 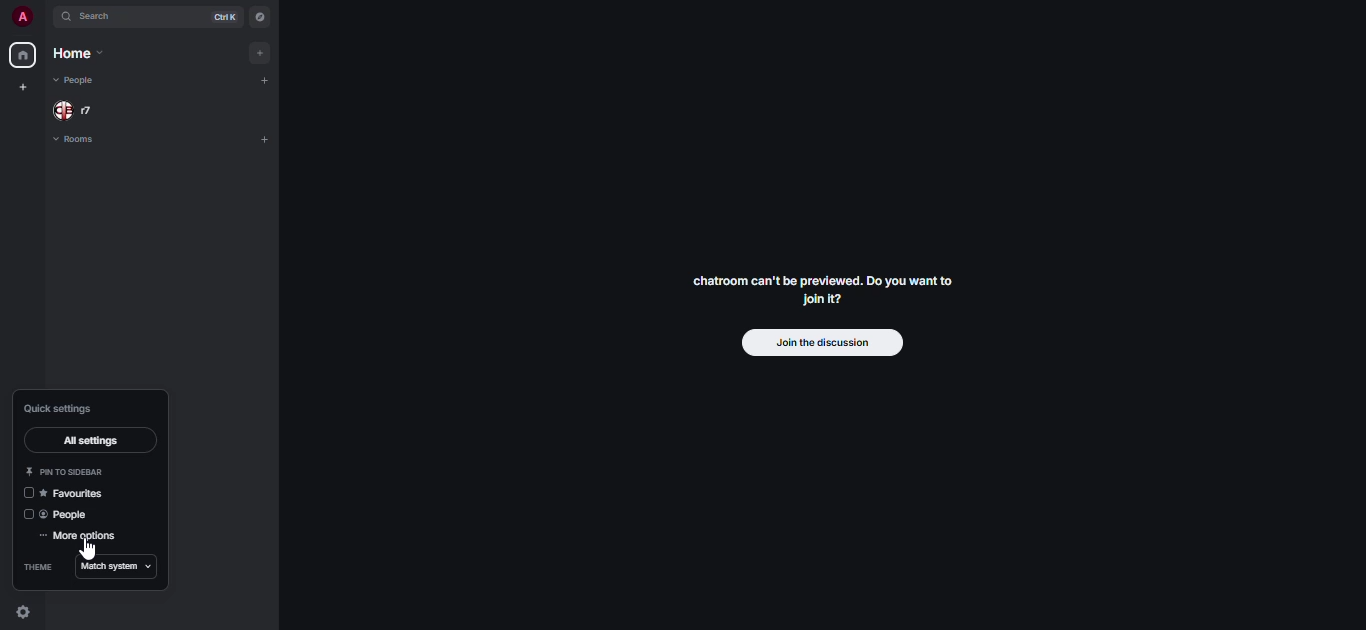 What do you see at coordinates (262, 139) in the screenshot?
I see `add` at bounding box center [262, 139].